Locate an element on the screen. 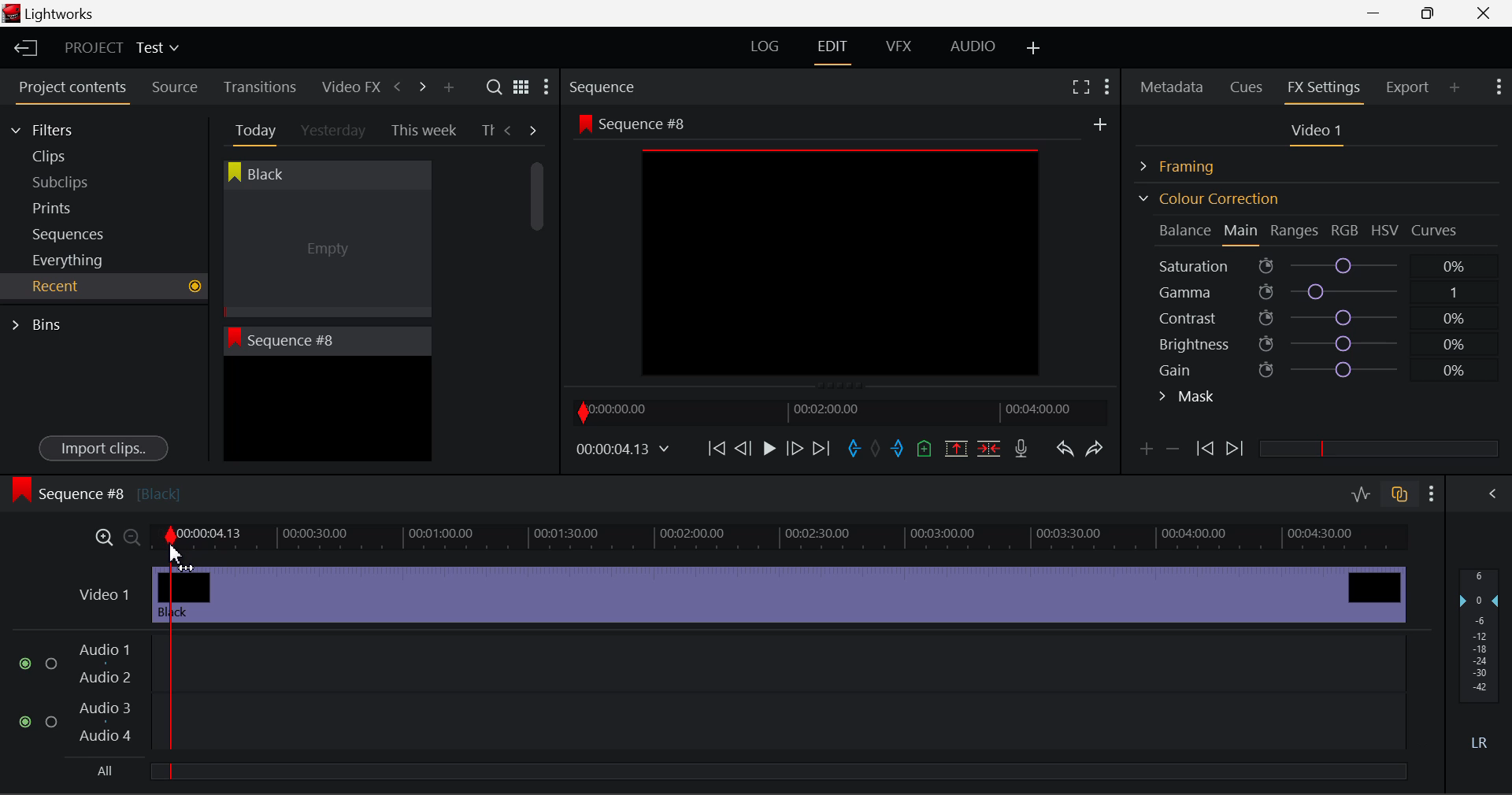 Image resolution: width=1512 pixels, height=795 pixels. Everything is located at coordinates (70, 260).